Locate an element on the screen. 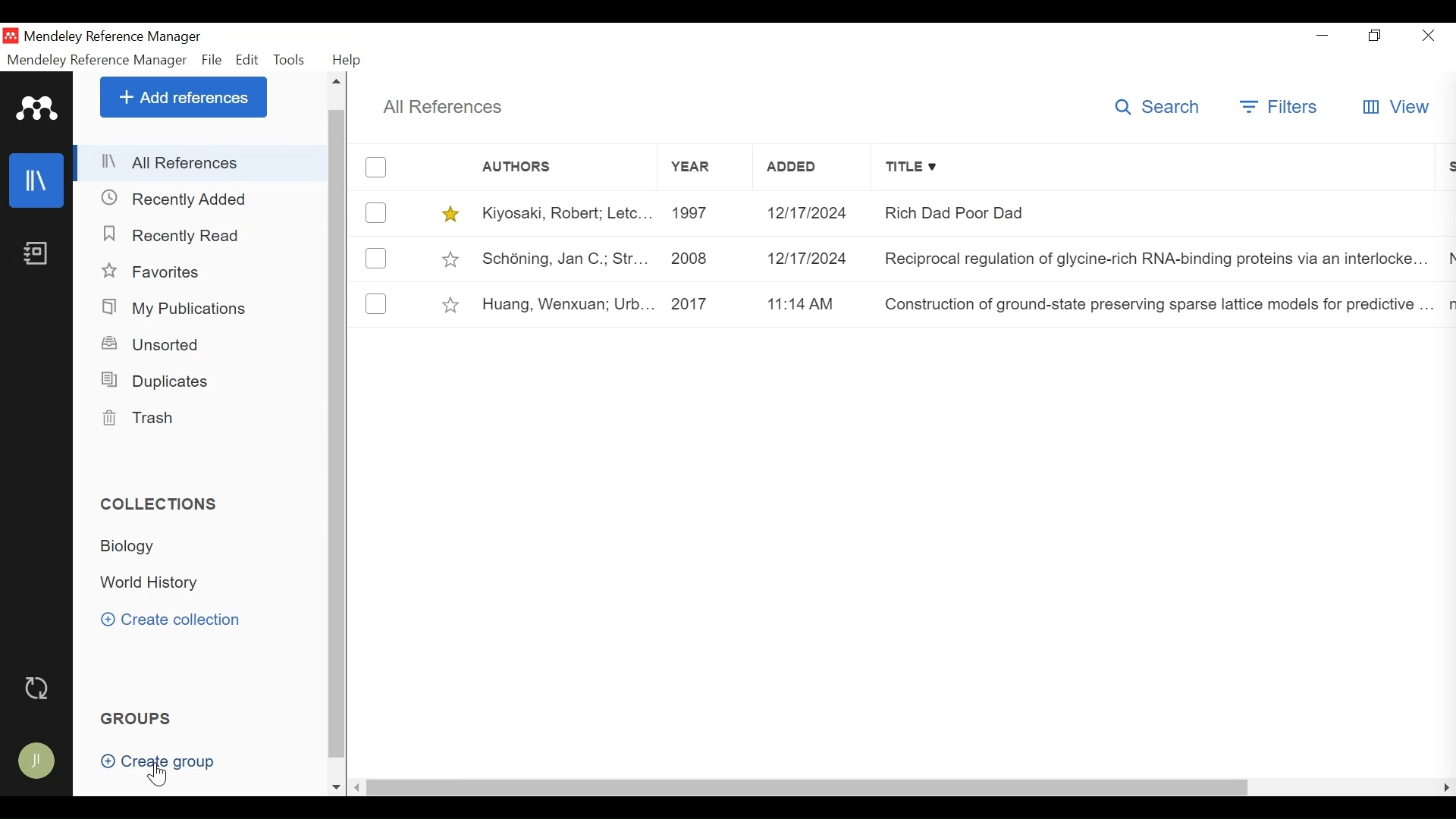 The image size is (1456, 819). 11:14 am is located at coordinates (813, 303).